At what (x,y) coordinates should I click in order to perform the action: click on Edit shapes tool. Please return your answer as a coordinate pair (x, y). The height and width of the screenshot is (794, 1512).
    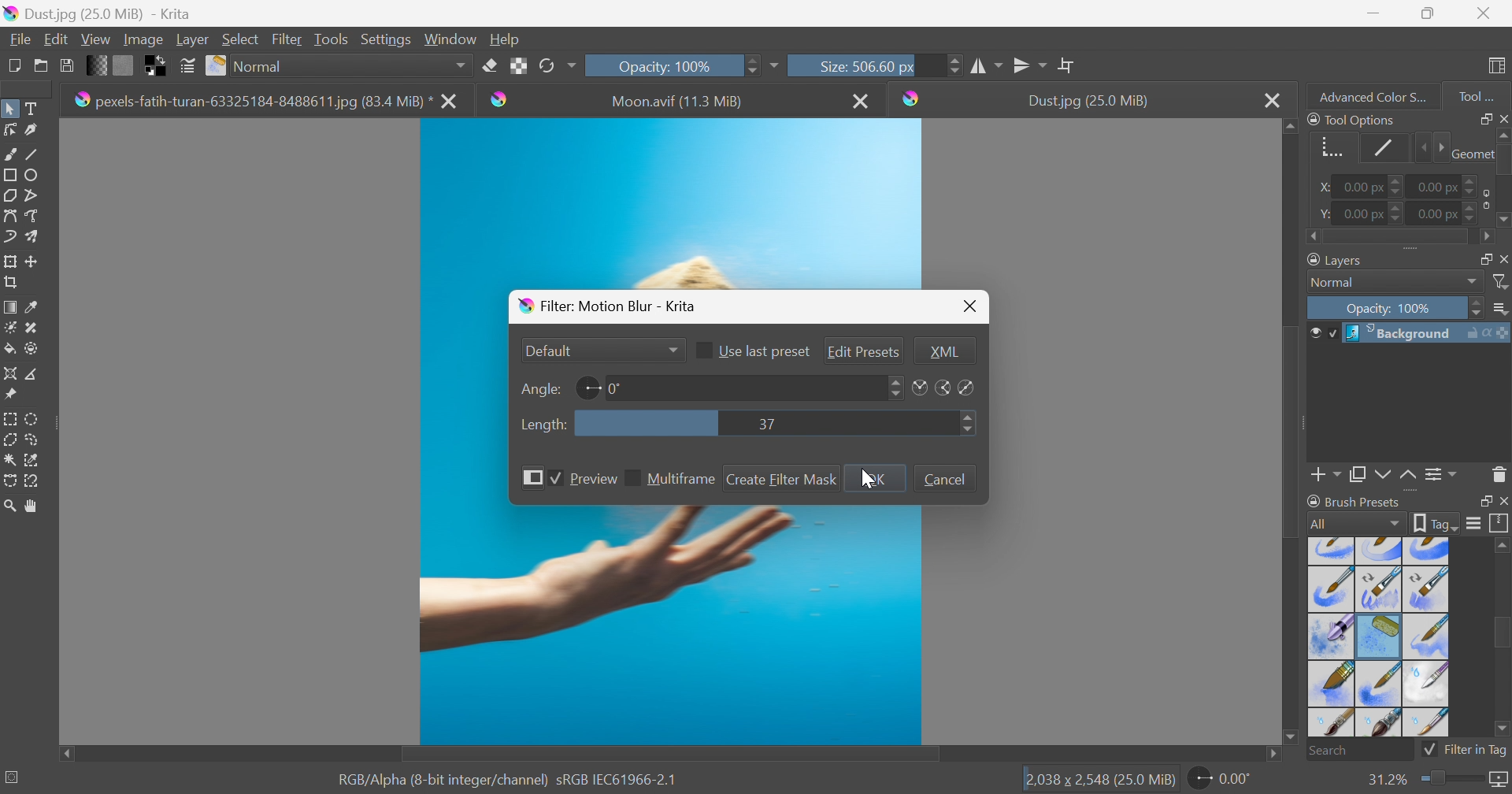
    Looking at the image, I should click on (9, 129).